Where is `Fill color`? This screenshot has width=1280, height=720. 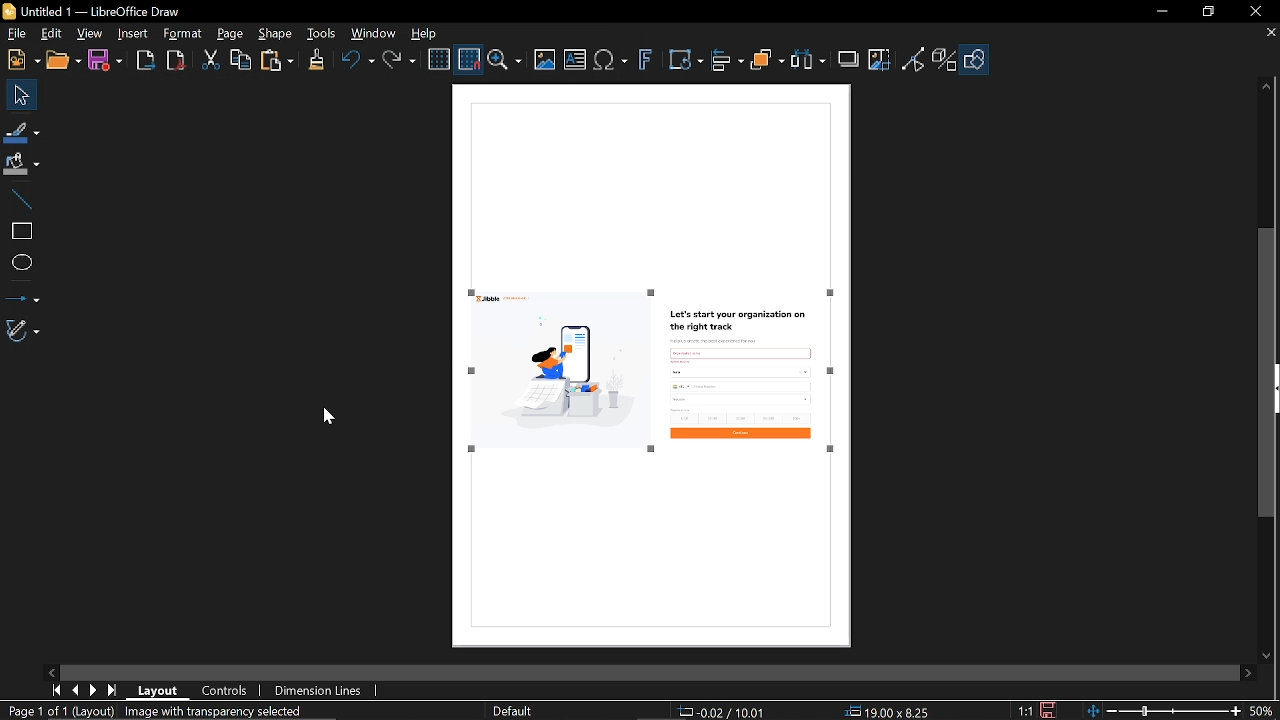
Fill color is located at coordinates (22, 164).